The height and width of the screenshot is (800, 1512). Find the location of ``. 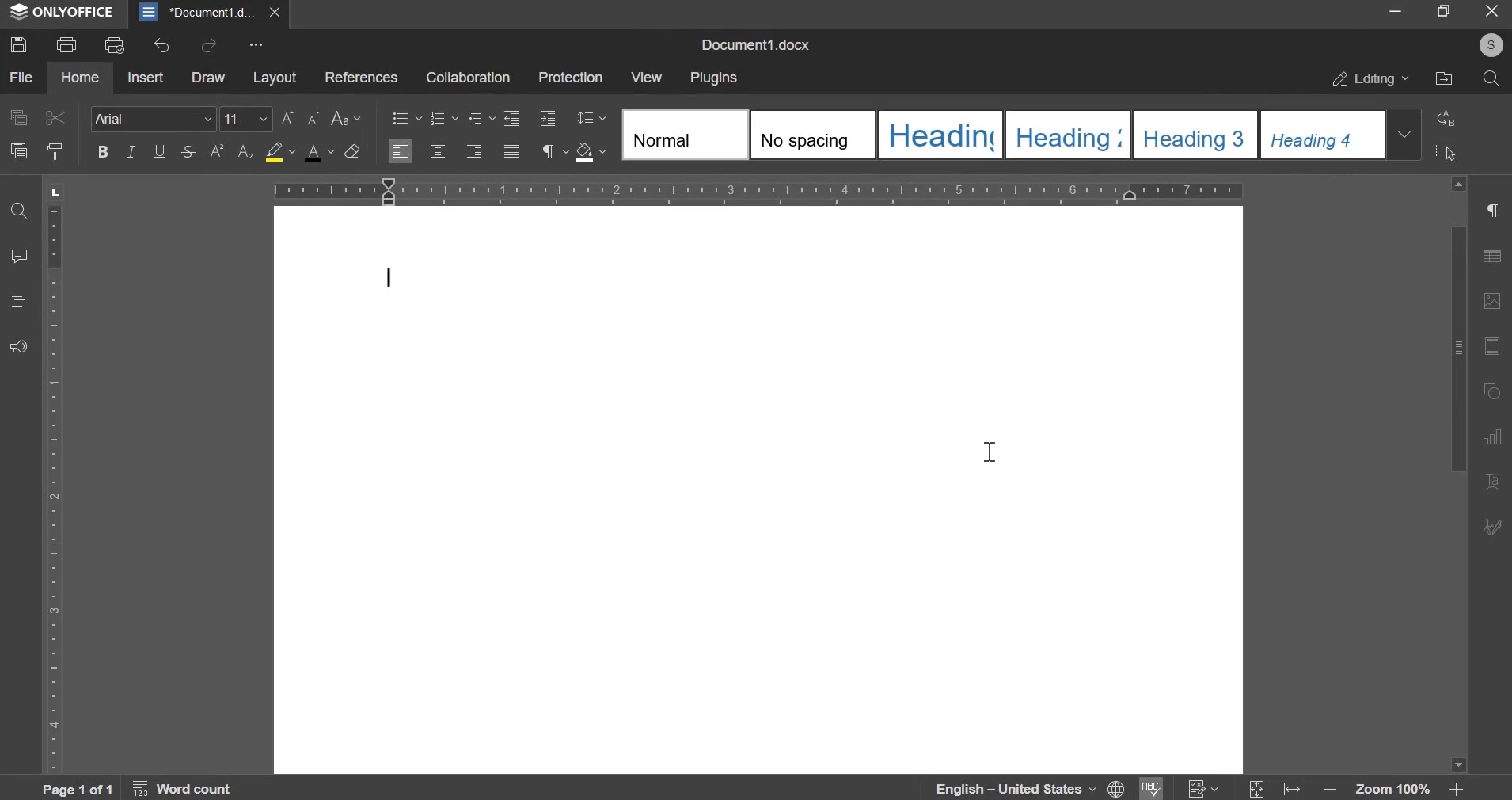

 is located at coordinates (355, 152).